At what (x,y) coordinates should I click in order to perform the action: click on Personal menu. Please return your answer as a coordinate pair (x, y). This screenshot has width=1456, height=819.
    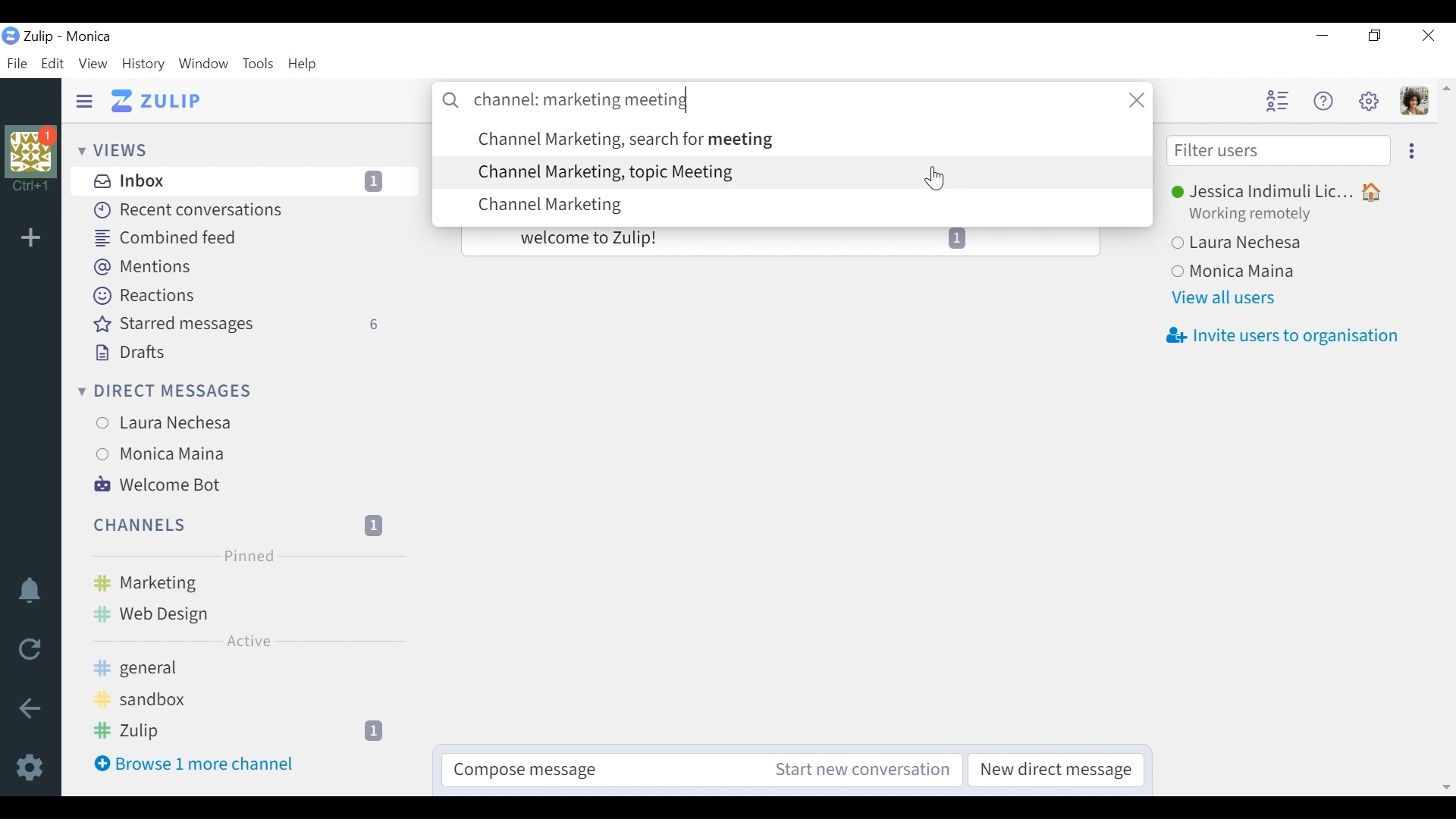
    Looking at the image, I should click on (1417, 102).